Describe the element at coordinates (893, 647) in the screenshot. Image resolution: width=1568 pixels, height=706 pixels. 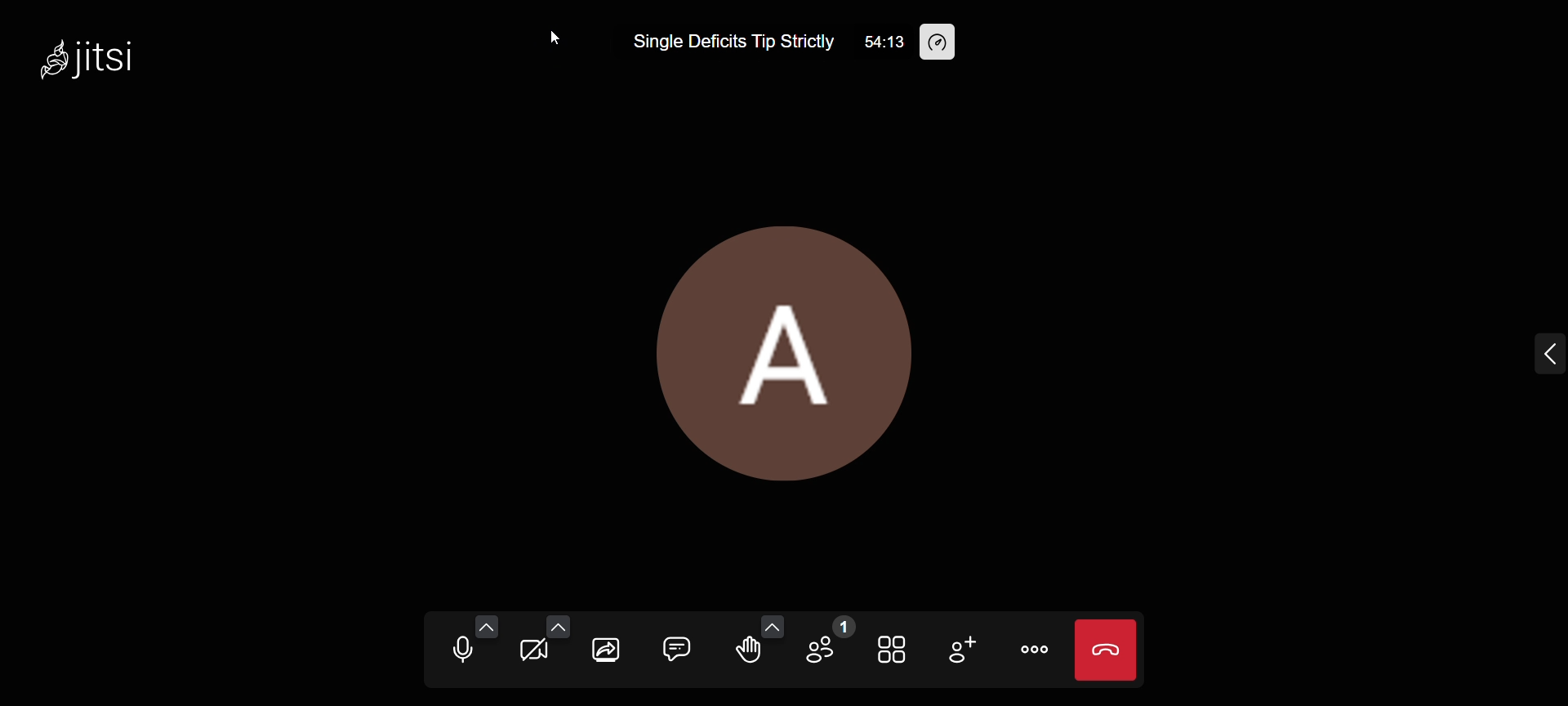
I see `tile view` at that location.